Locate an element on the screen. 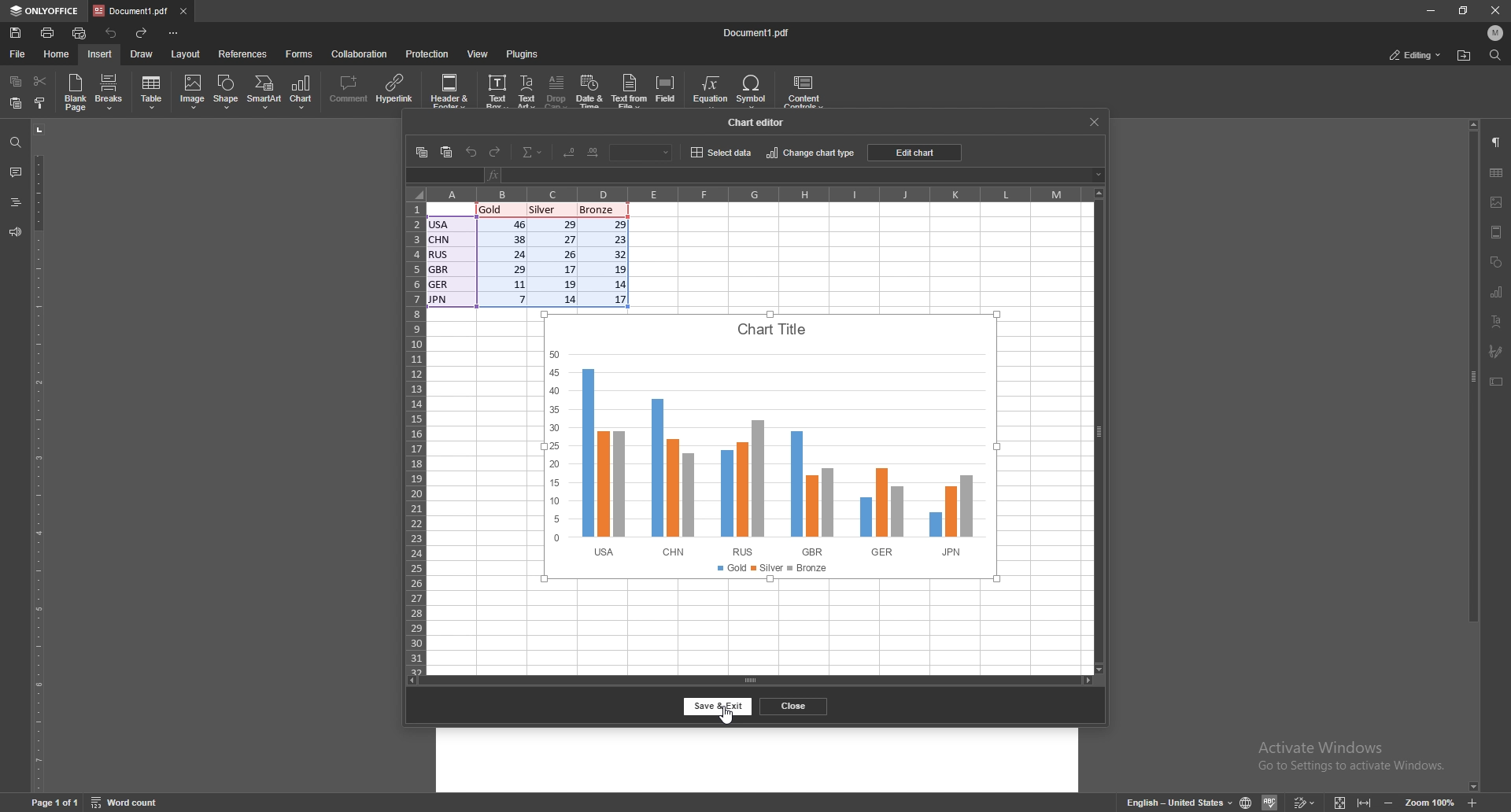 The width and height of the screenshot is (1511, 812). smart art is located at coordinates (265, 93).